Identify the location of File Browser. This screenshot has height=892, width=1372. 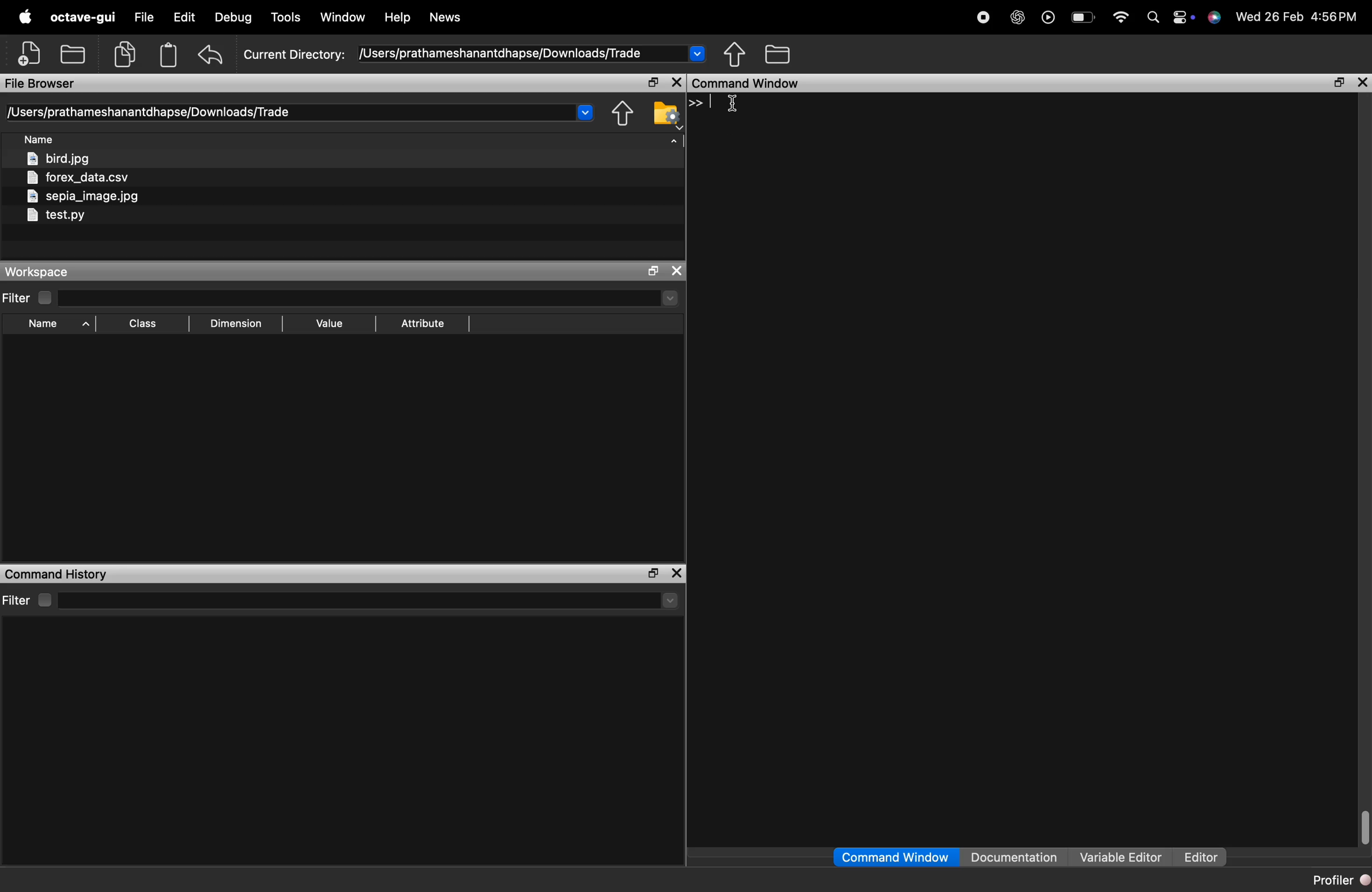
(40, 84).